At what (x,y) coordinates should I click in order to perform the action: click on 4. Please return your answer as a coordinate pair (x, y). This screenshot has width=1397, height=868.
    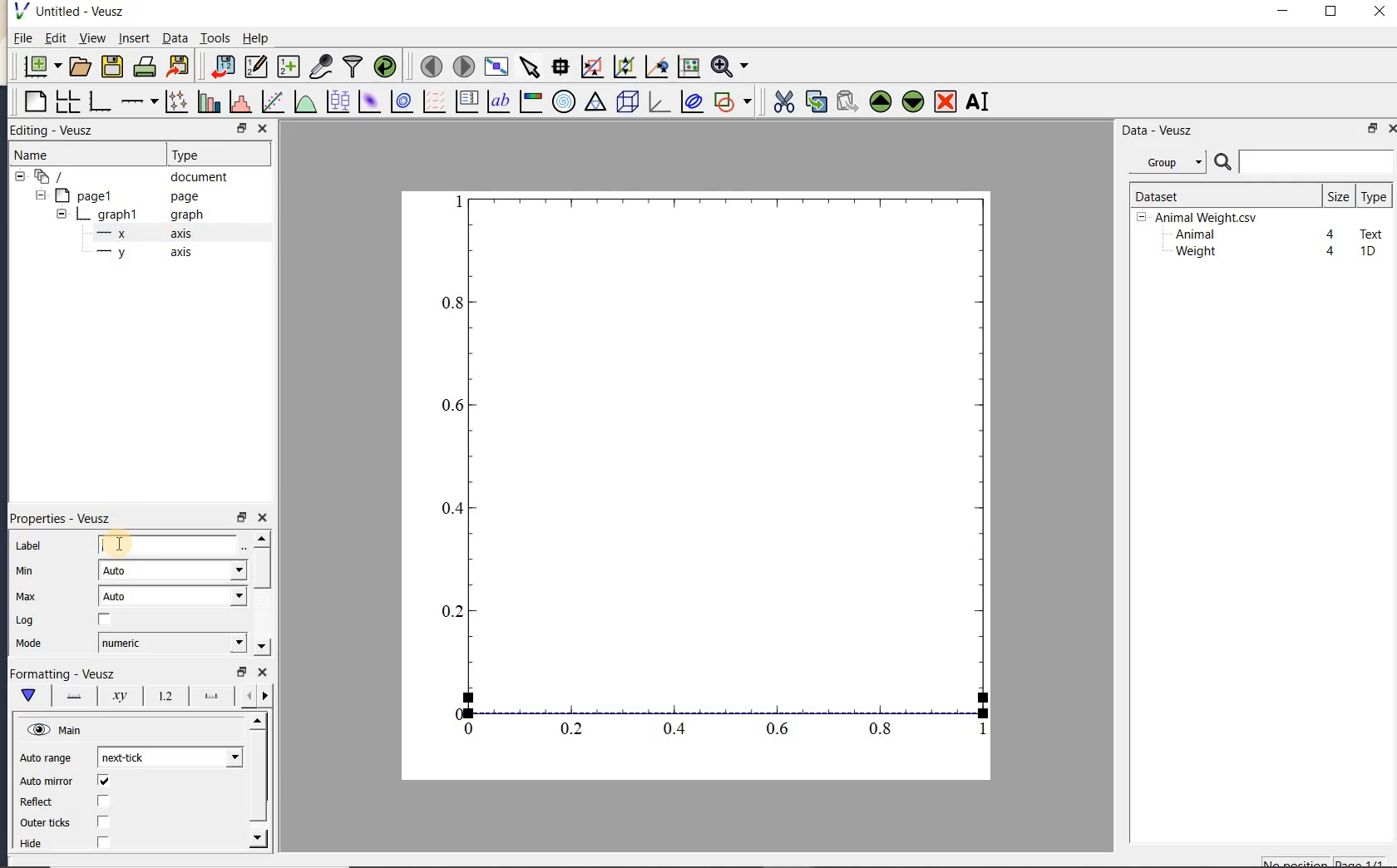
    Looking at the image, I should click on (1331, 252).